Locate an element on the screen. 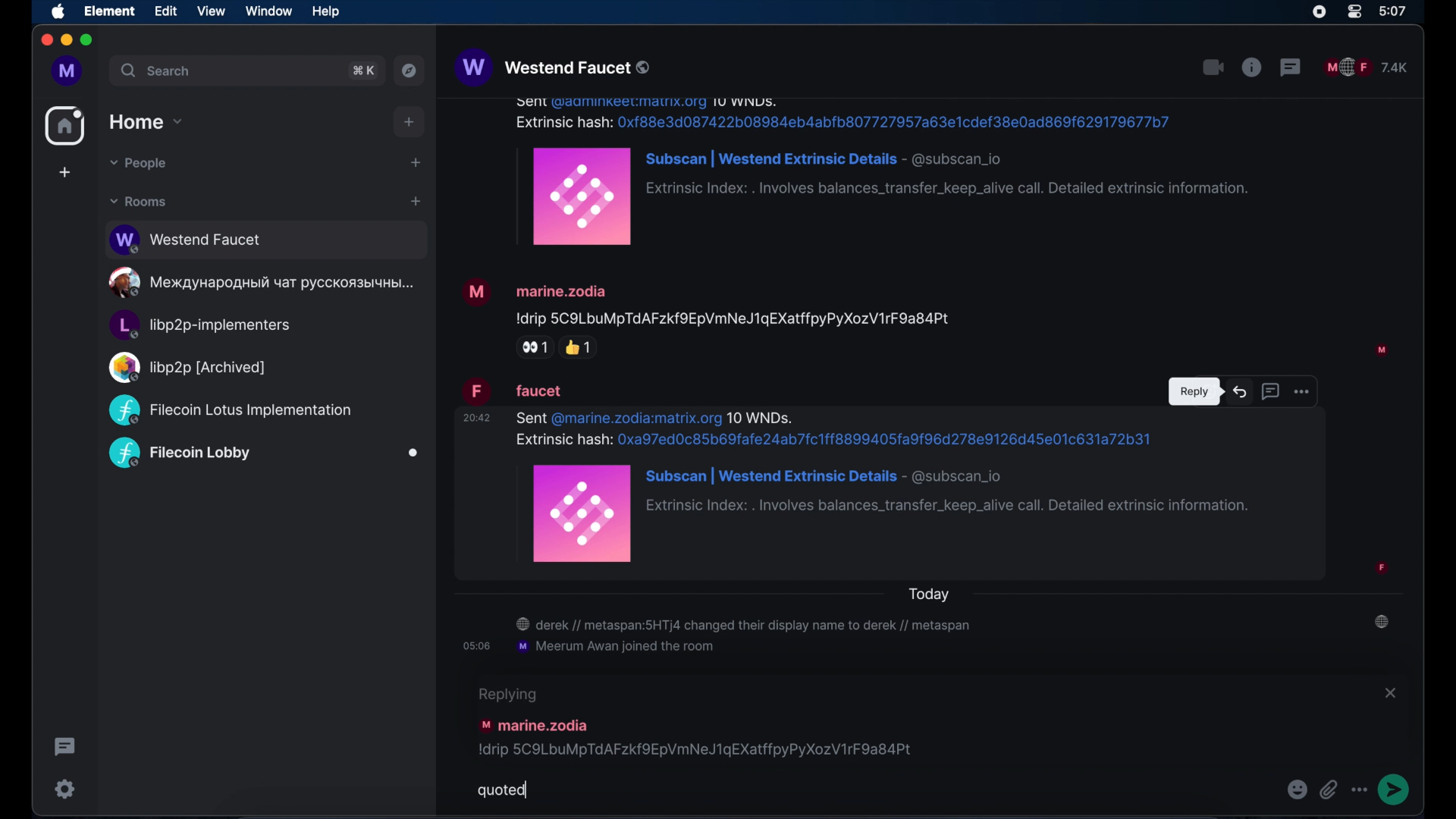 The height and width of the screenshot is (819, 1456). explore public rooms is located at coordinates (409, 71).